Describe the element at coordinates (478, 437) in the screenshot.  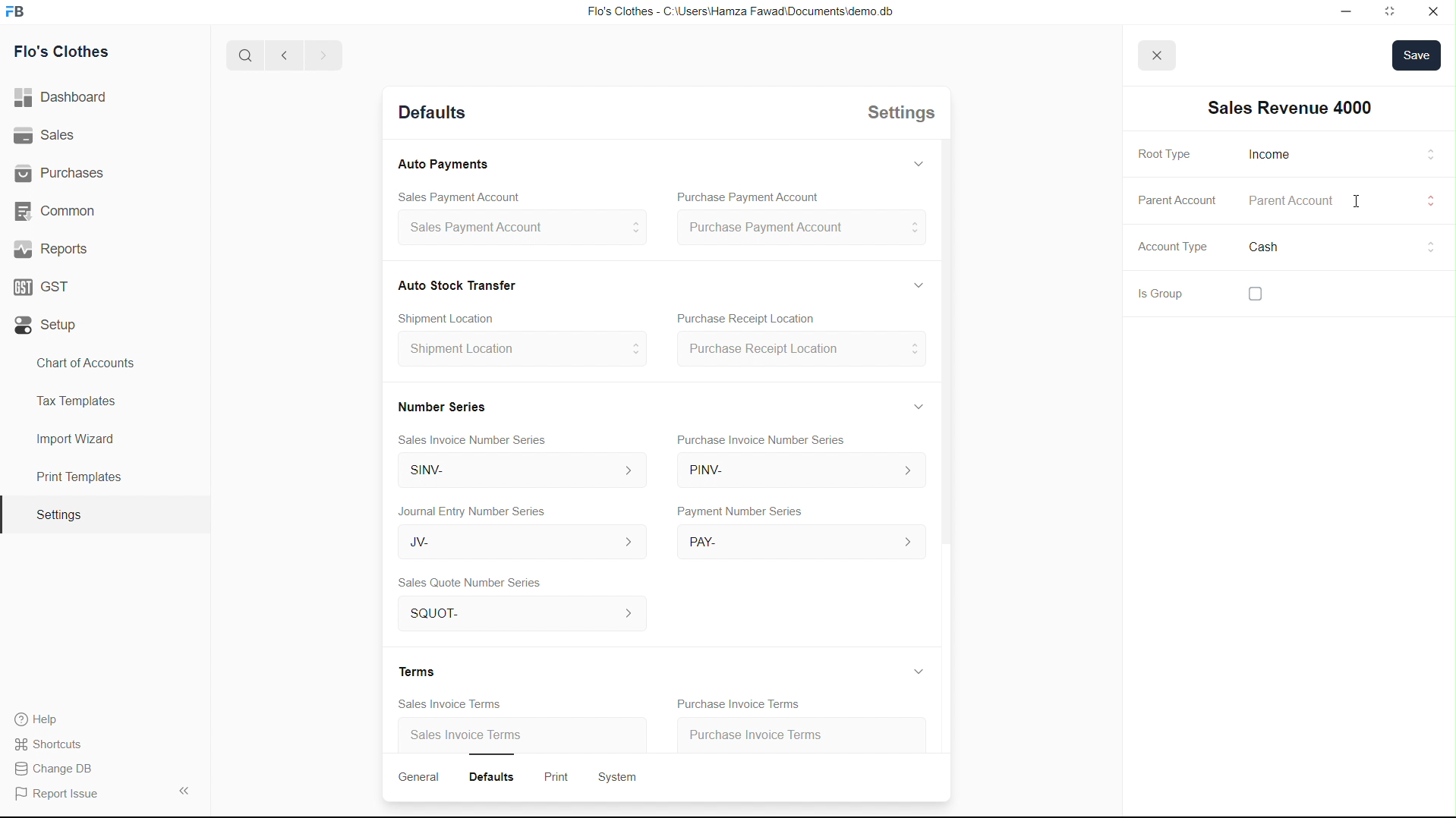
I see `Sales Invoice Number Series` at that location.